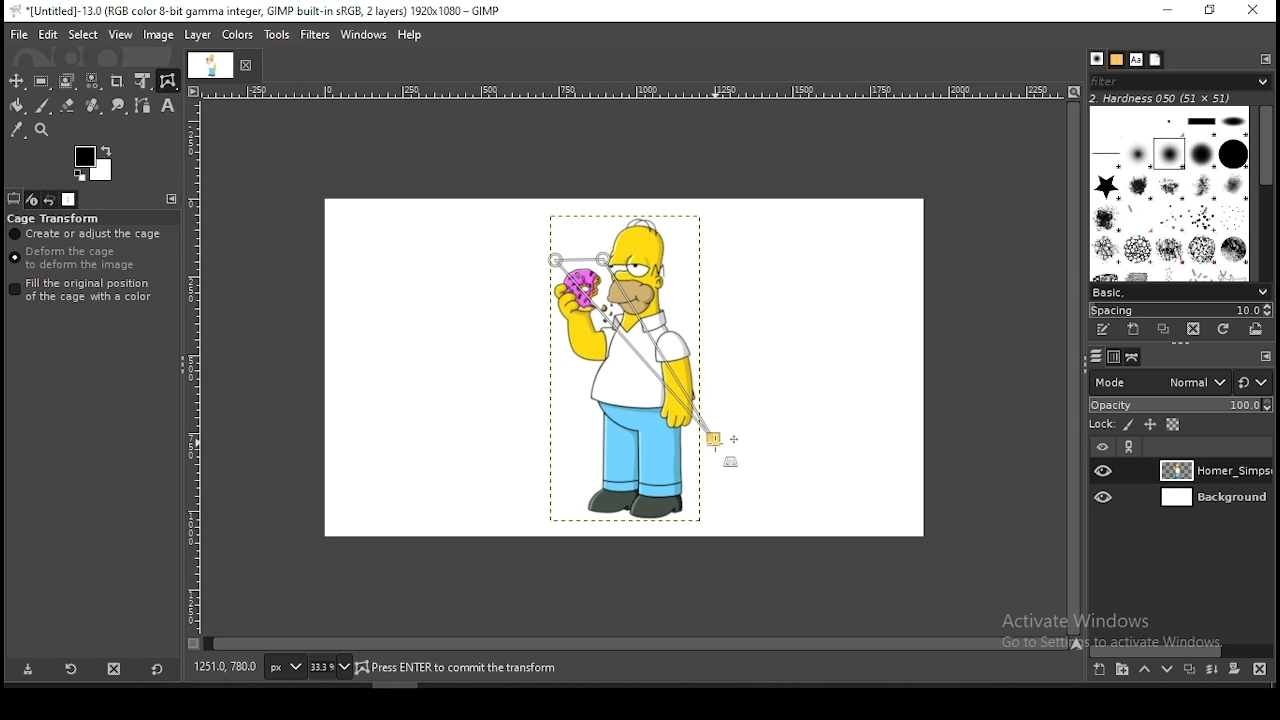 Image resolution: width=1280 pixels, height=720 pixels. I want to click on edit this brush, so click(1106, 330).